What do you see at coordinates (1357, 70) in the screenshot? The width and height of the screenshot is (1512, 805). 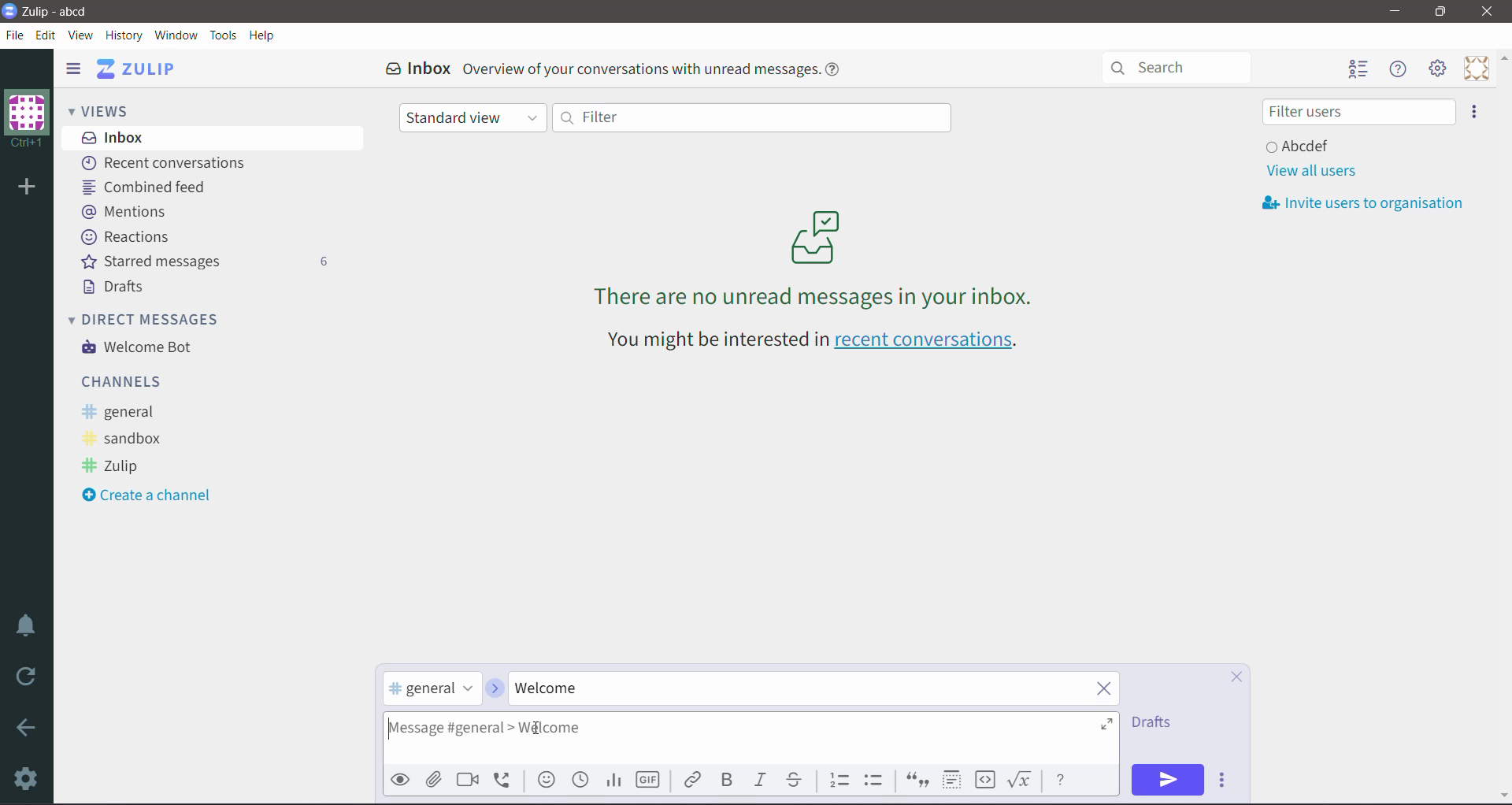 I see `Hide user list` at bounding box center [1357, 70].